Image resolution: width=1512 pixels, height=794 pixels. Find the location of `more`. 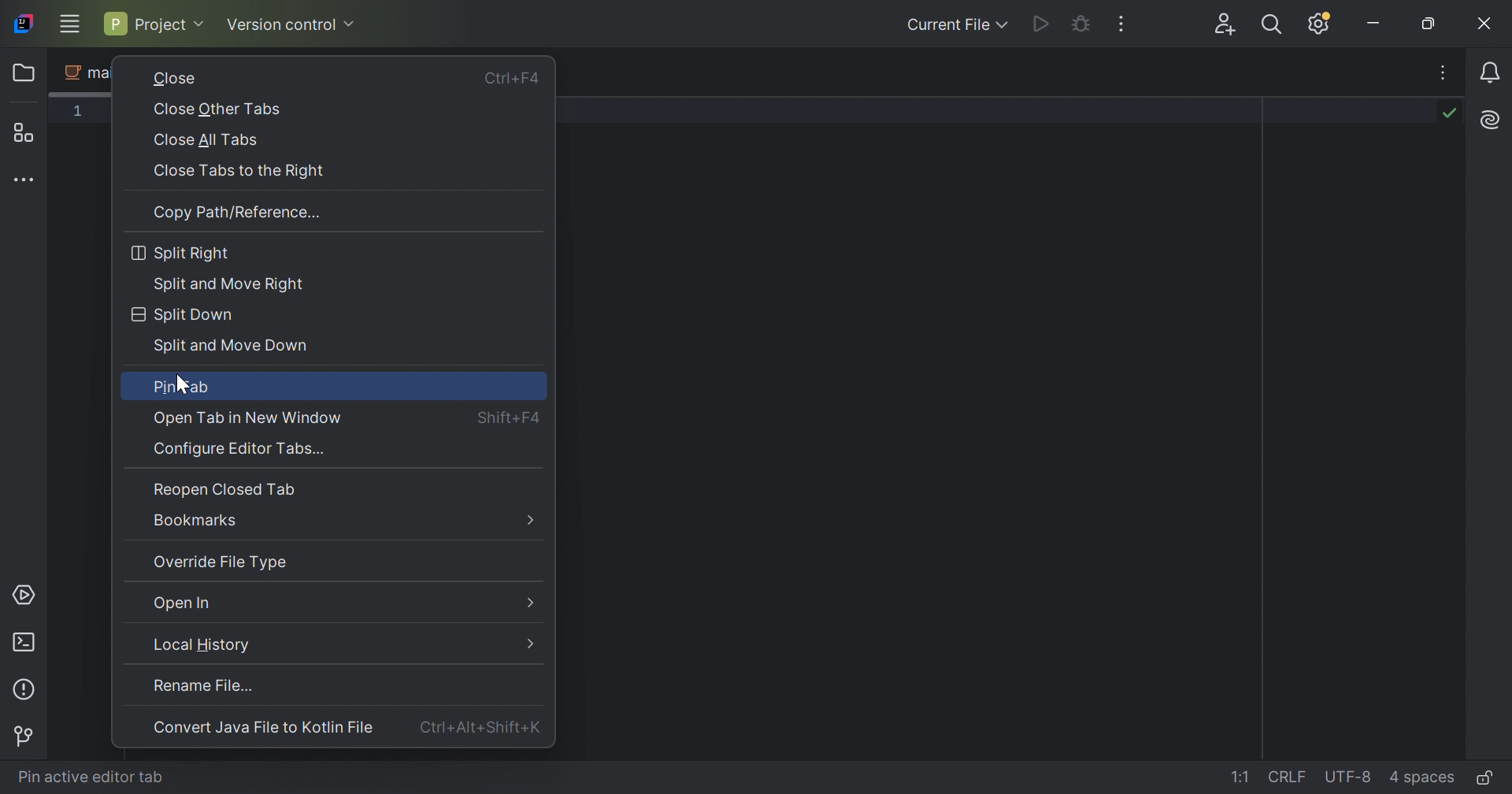

more is located at coordinates (529, 602).